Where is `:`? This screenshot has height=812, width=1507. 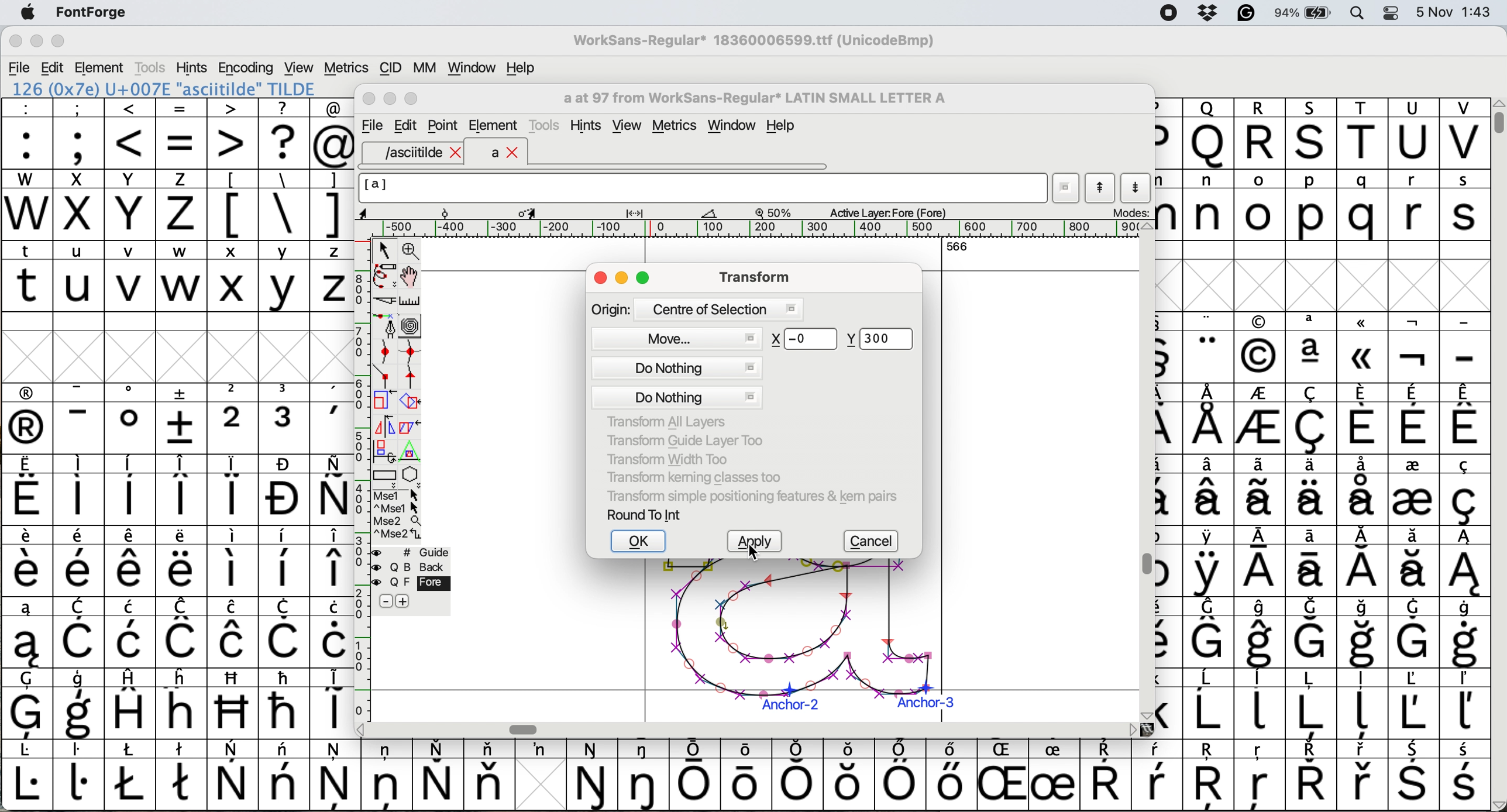
: is located at coordinates (28, 134).